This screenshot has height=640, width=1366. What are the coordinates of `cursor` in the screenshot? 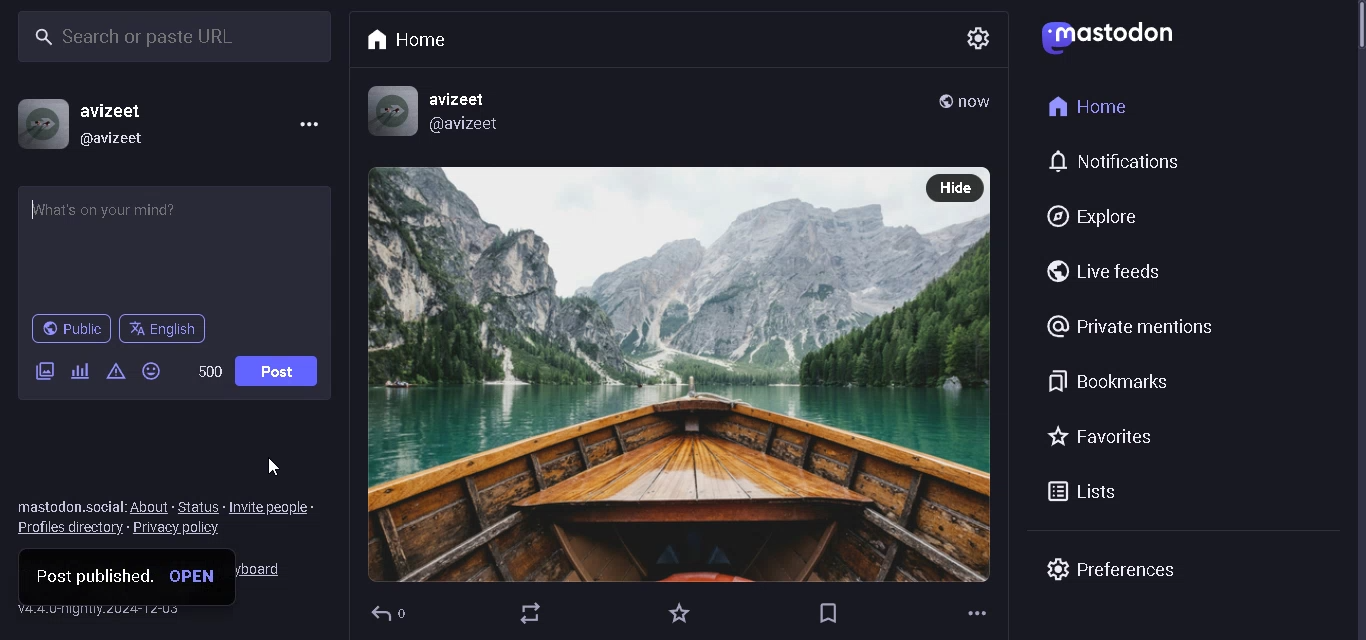 It's located at (265, 466).